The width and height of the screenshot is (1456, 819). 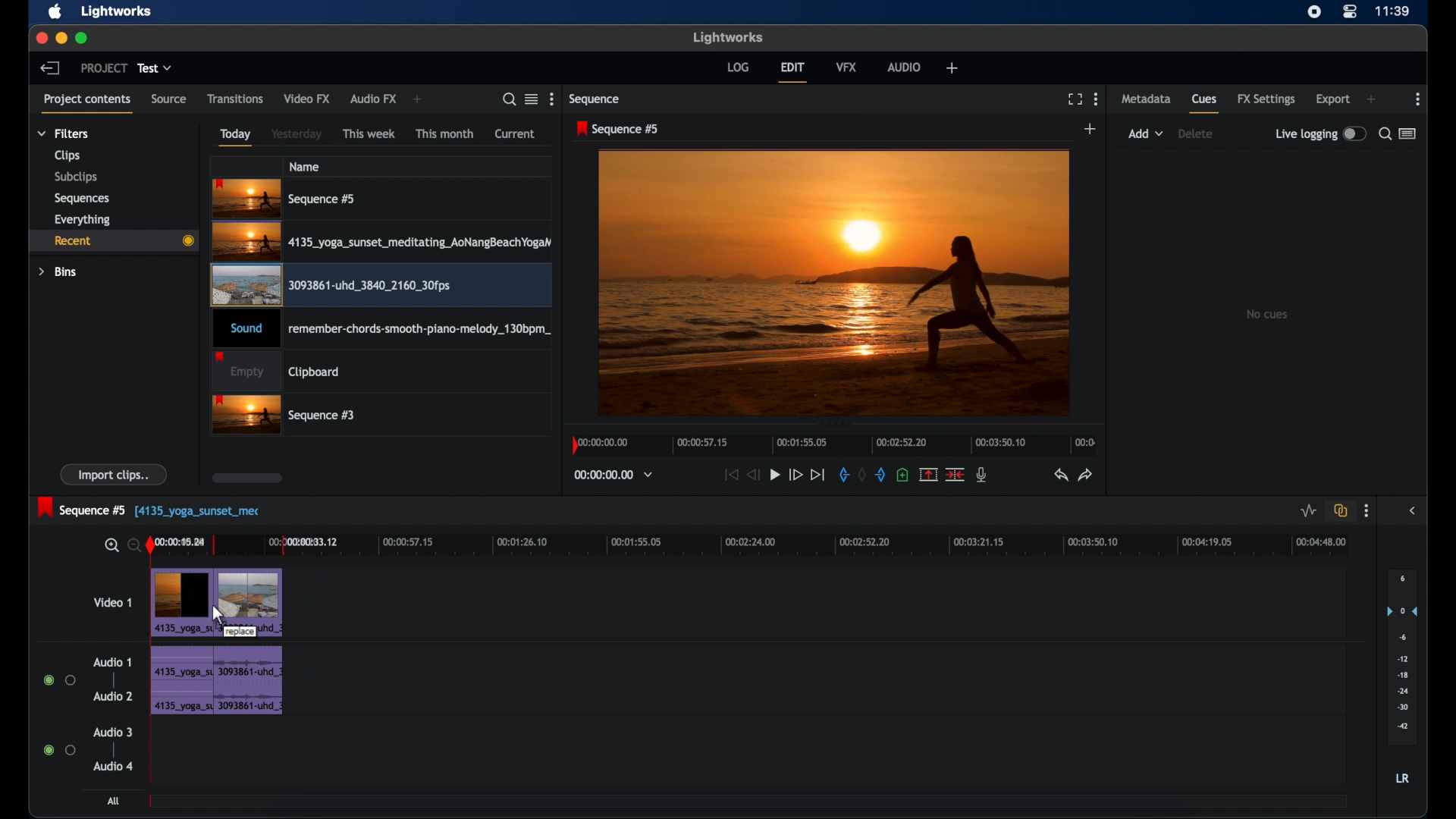 What do you see at coordinates (296, 133) in the screenshot?
I see `yesterday` at bounding box center [296, 133].